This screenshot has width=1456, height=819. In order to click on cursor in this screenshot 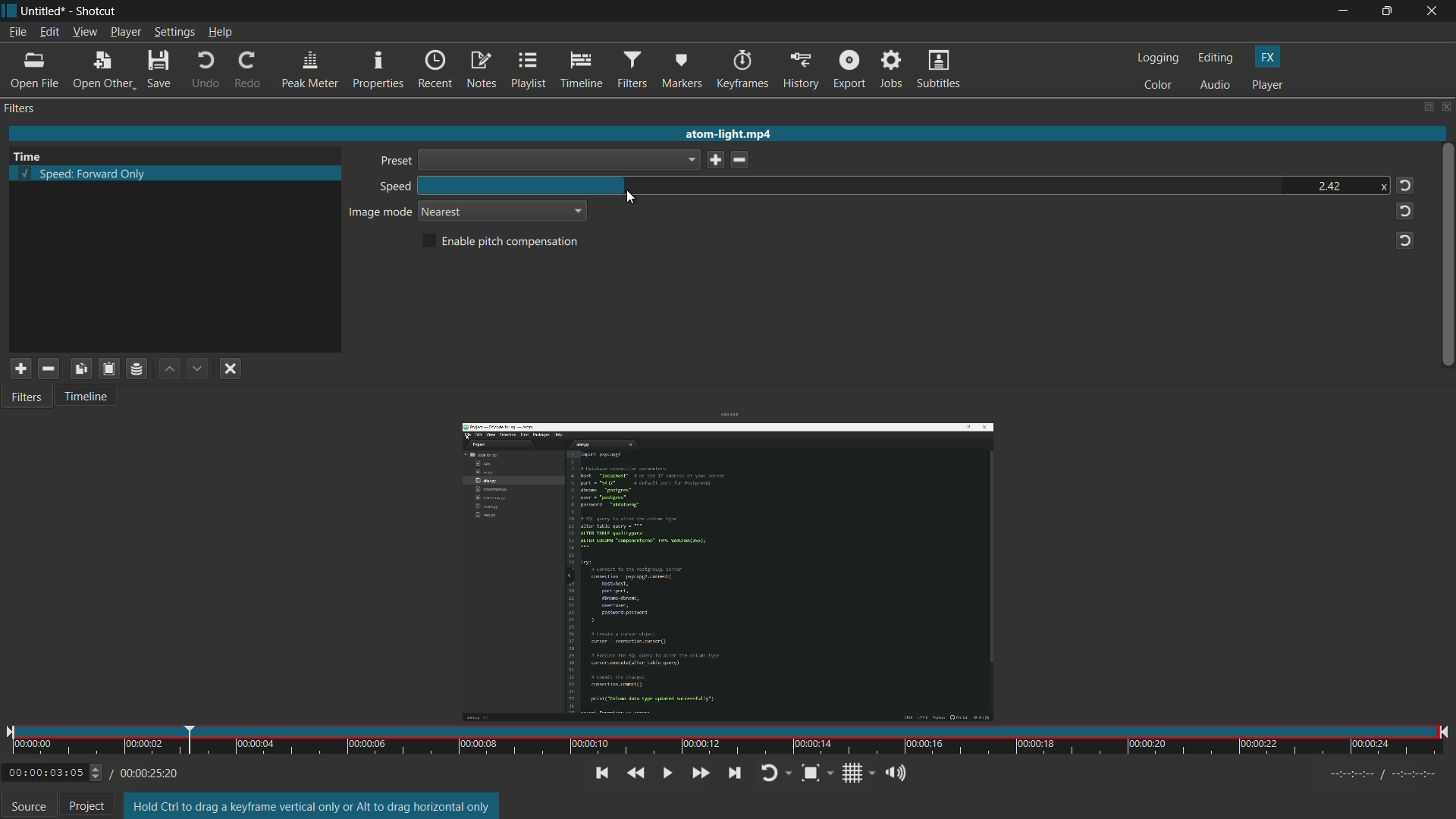, I will do `click(631, 196)`.